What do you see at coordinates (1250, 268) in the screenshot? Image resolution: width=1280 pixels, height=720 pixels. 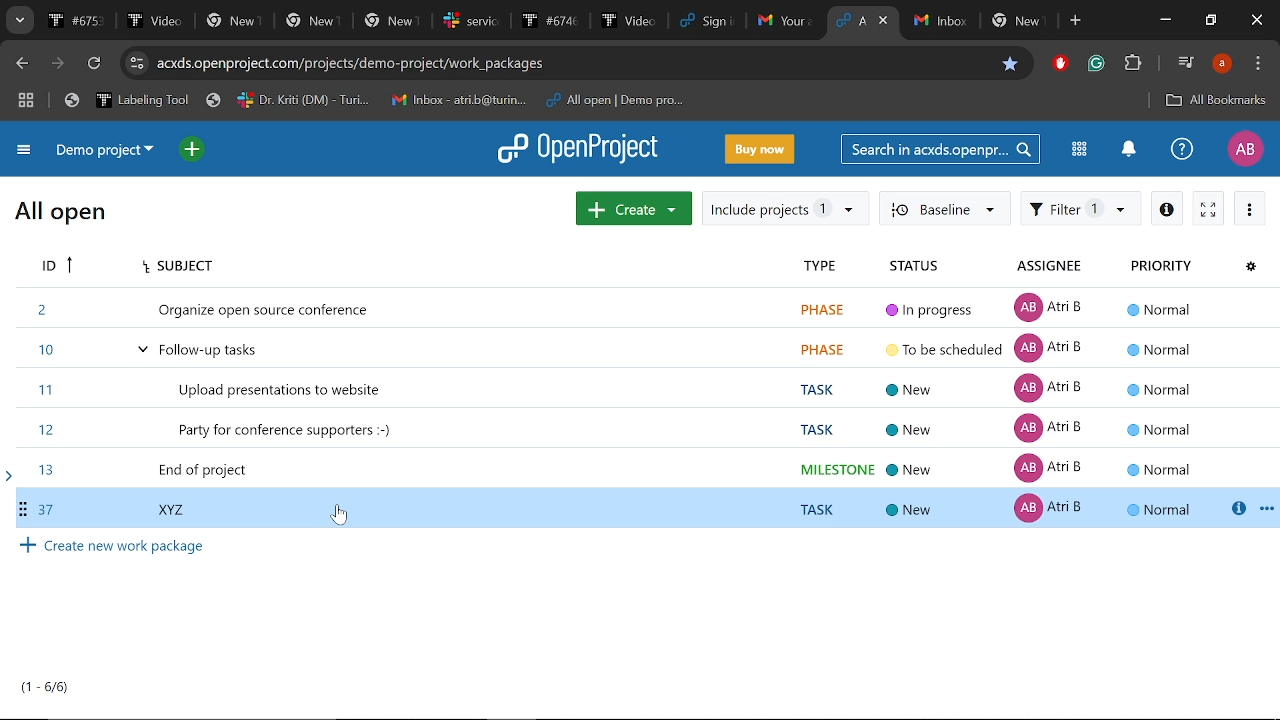 I see `Configure view` at bounding box center [1250, 268].